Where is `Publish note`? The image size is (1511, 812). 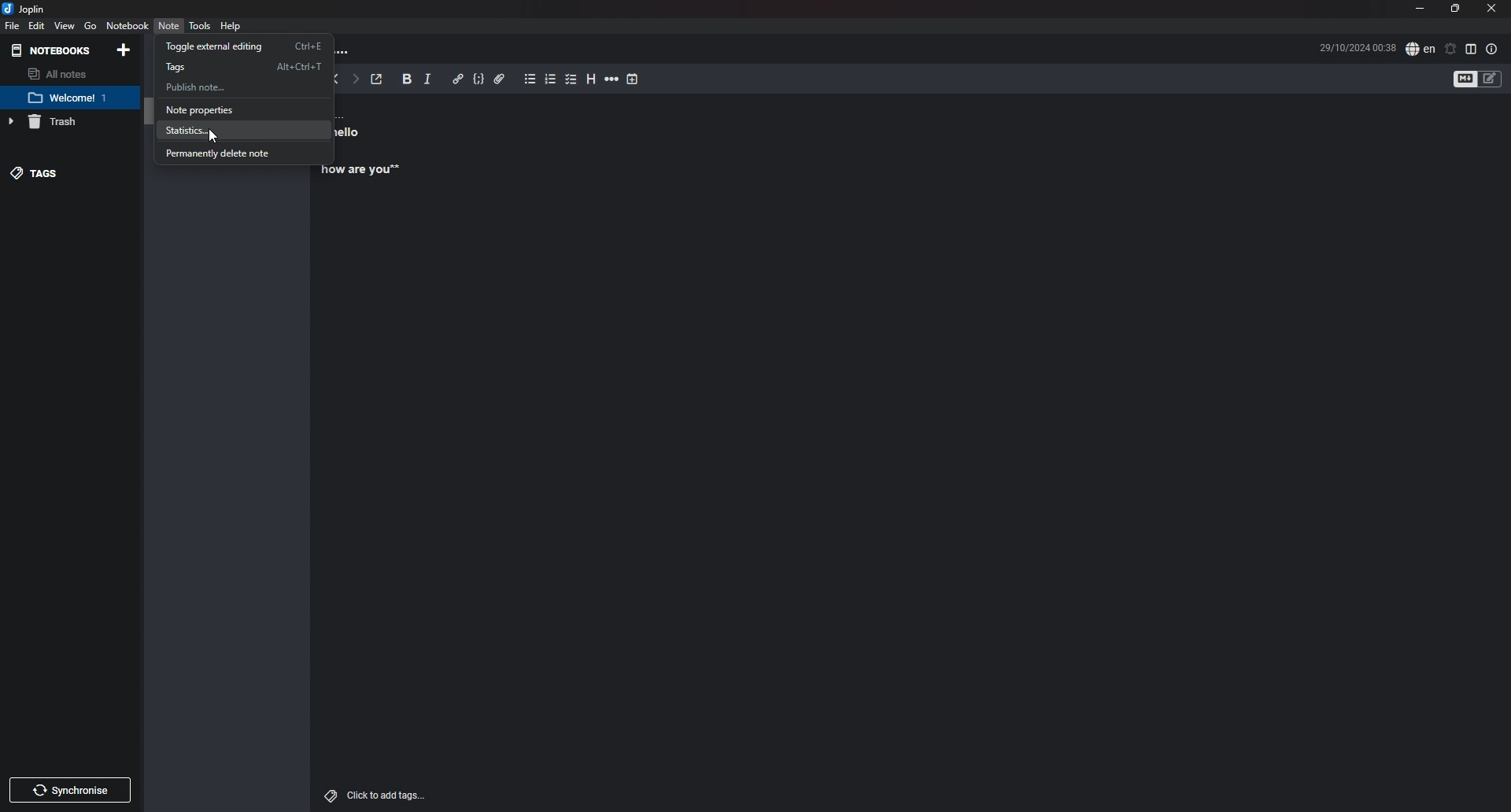
Publish note is located at coordinates (237, 87).